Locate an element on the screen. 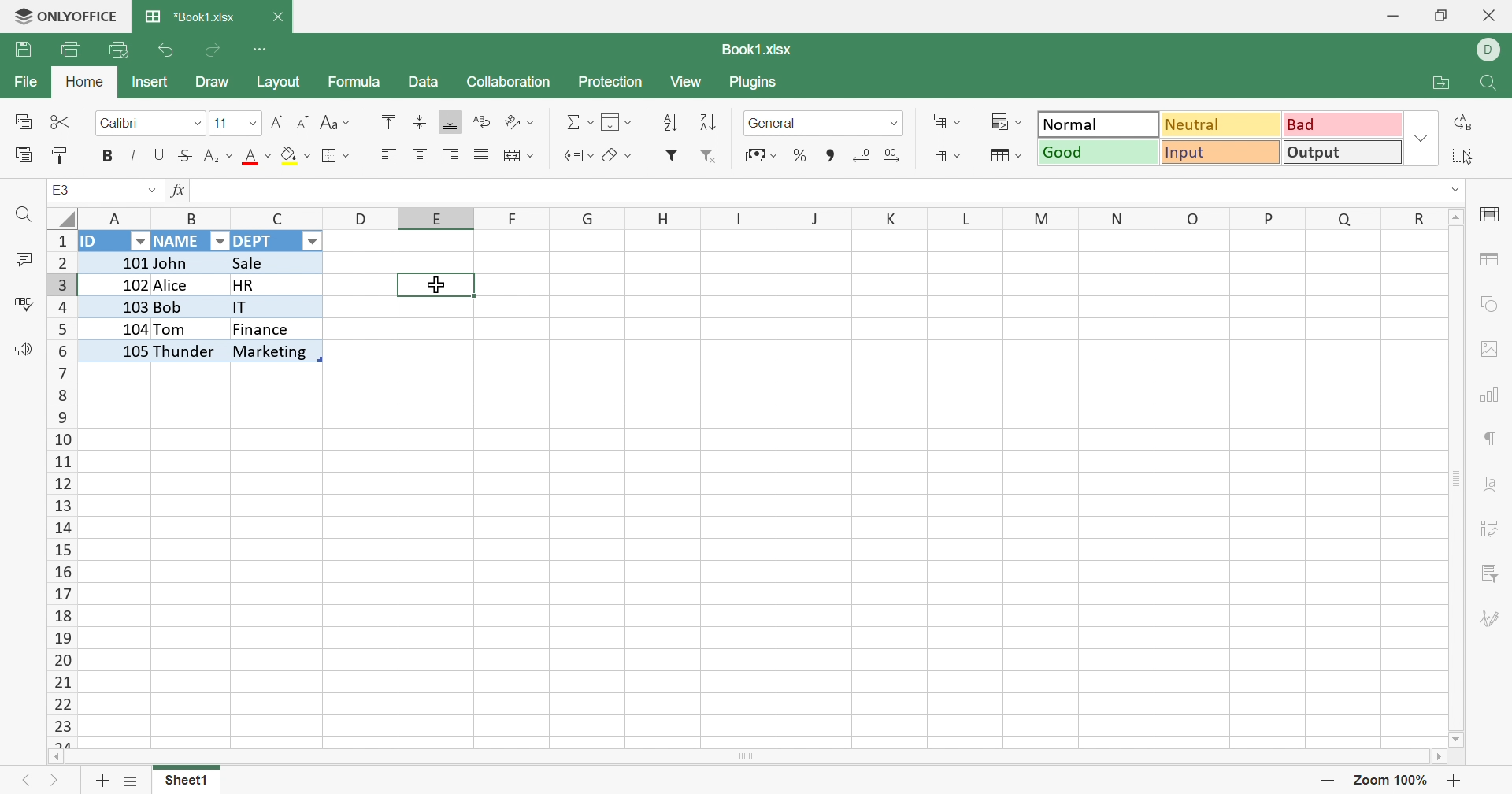 The height and width of the screenshot is (794, 1512). Bob is located at coordinates (187, 309).